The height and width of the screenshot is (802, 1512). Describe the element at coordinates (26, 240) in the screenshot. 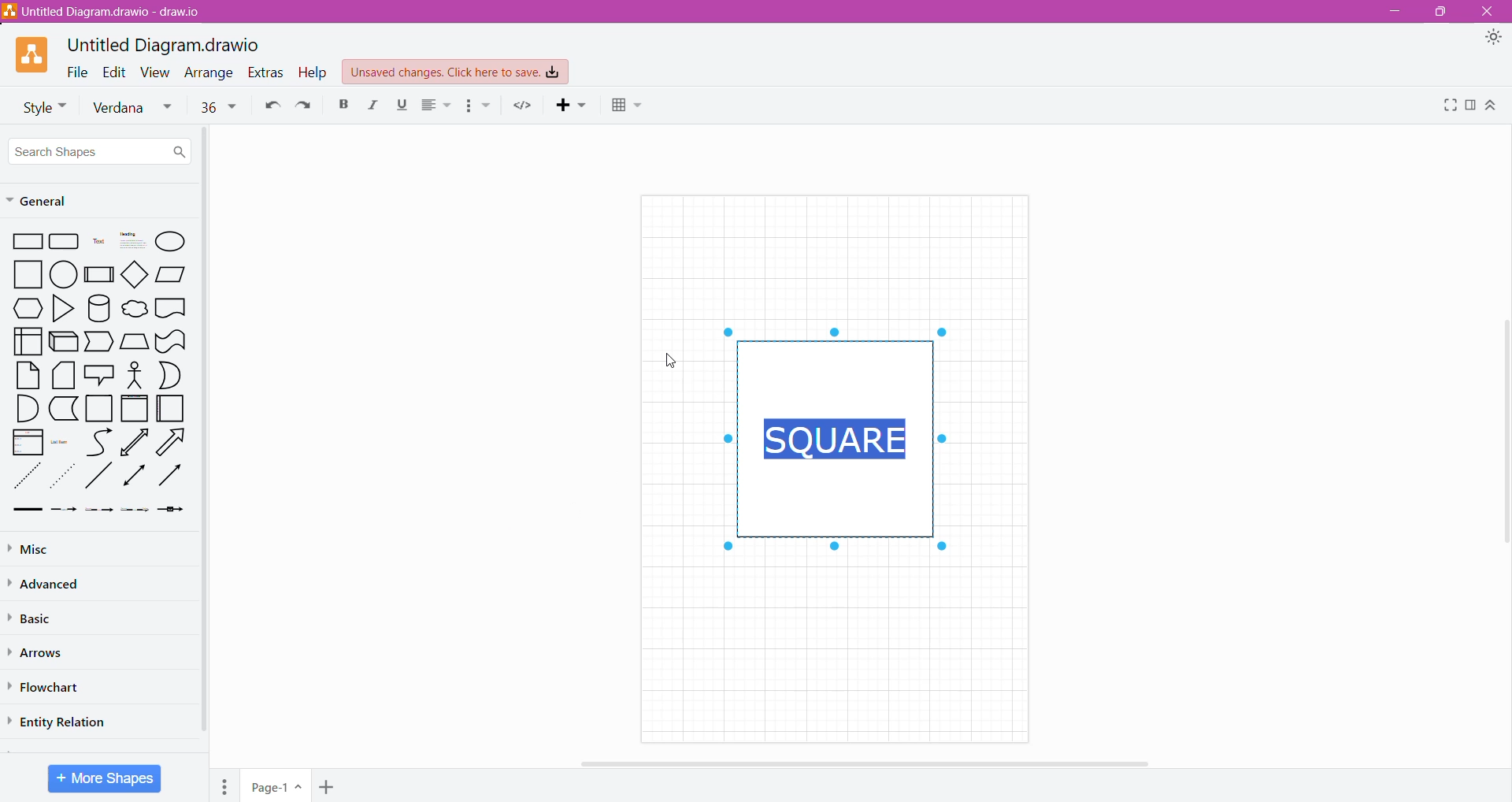

I see `Rectangle` at that location.